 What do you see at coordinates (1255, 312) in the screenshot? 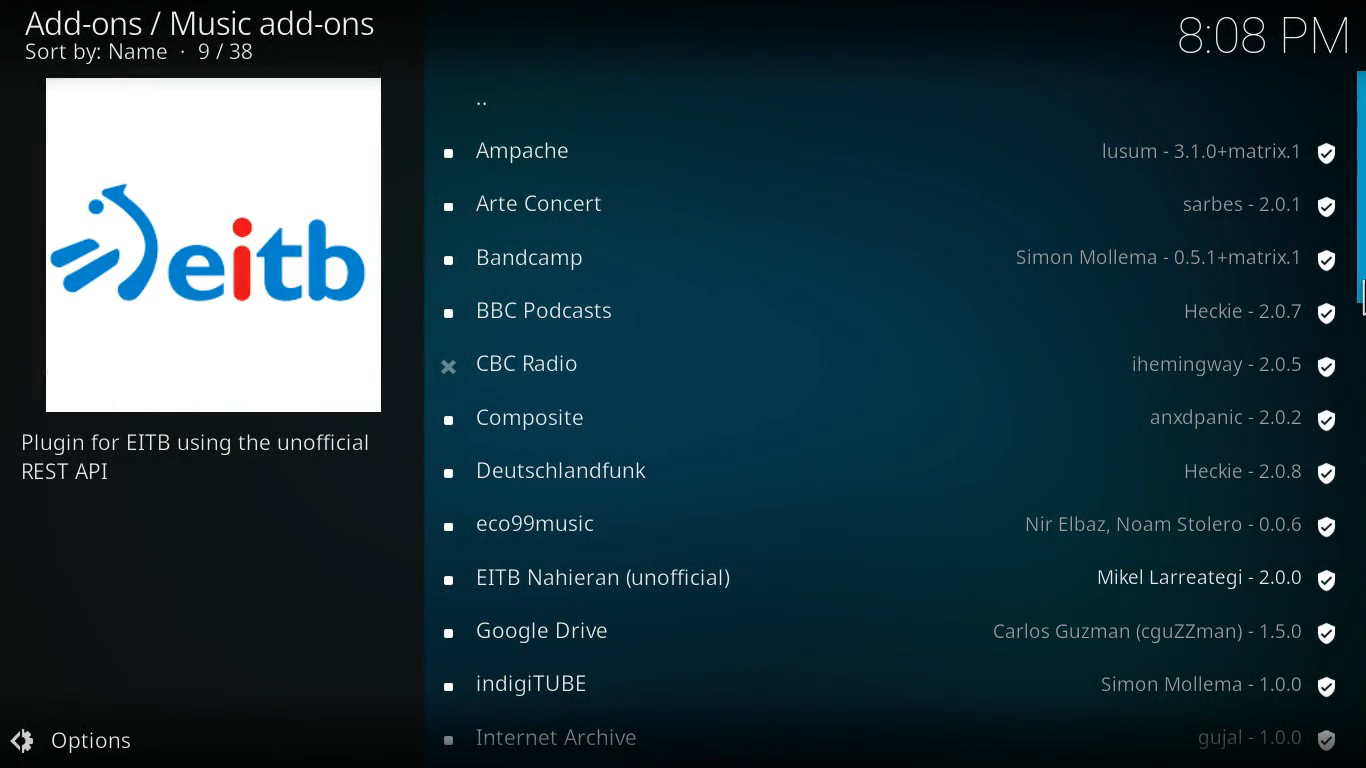
I see `provide` at bounding box center [1255, 312].